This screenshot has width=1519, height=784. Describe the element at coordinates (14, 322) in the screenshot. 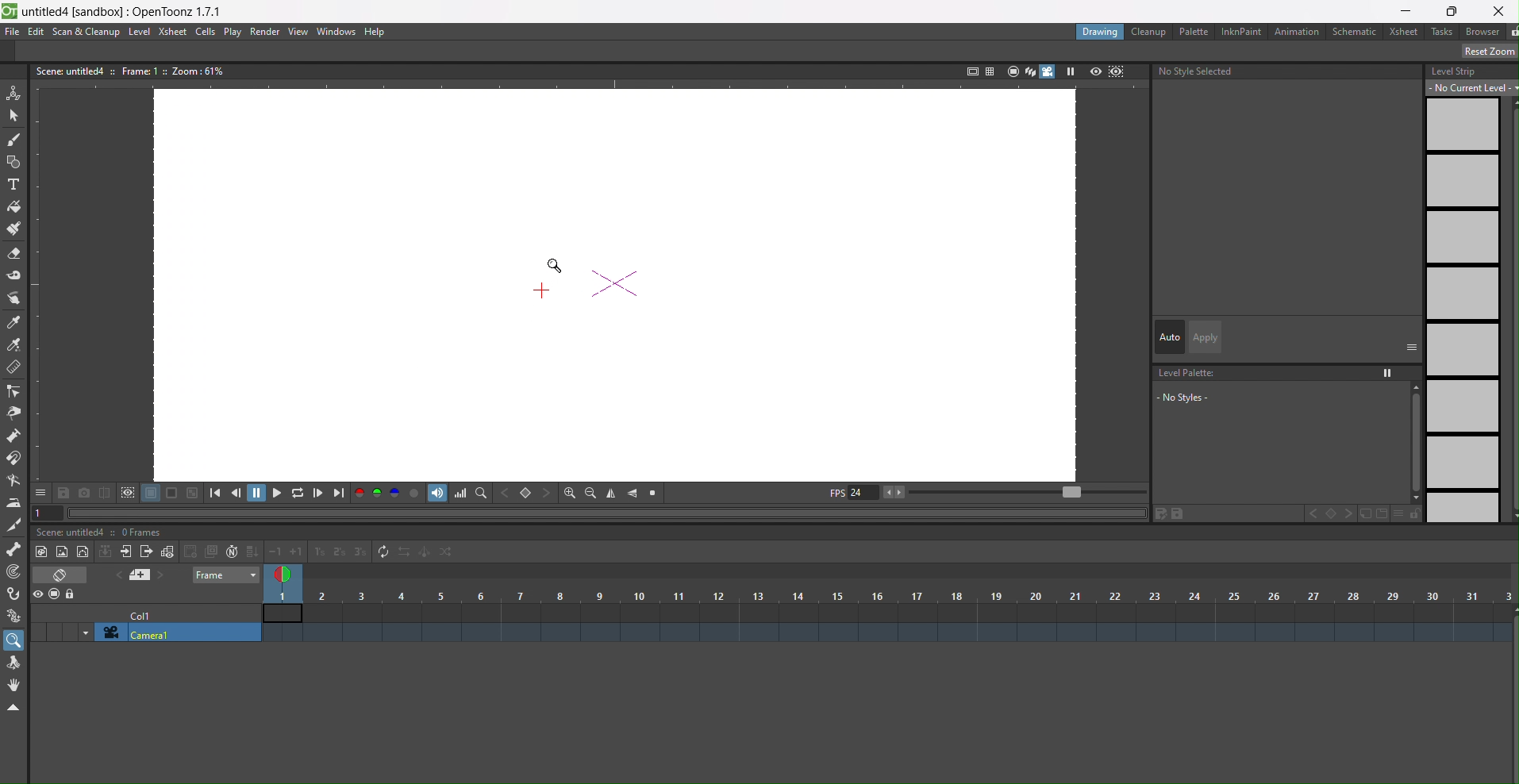

I see `` at that location.